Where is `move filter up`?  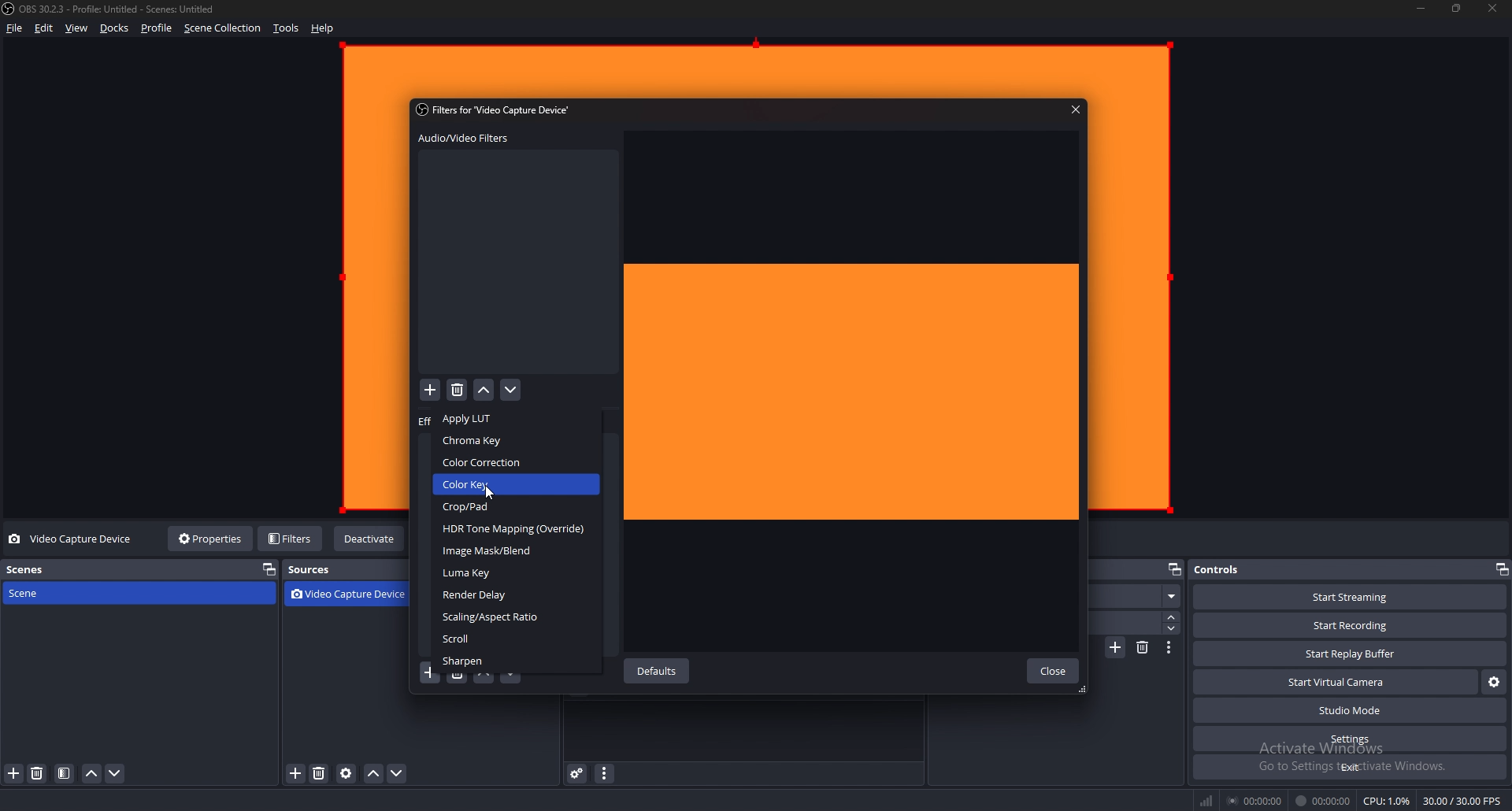 move filter up is located at coordinates (484, 676).